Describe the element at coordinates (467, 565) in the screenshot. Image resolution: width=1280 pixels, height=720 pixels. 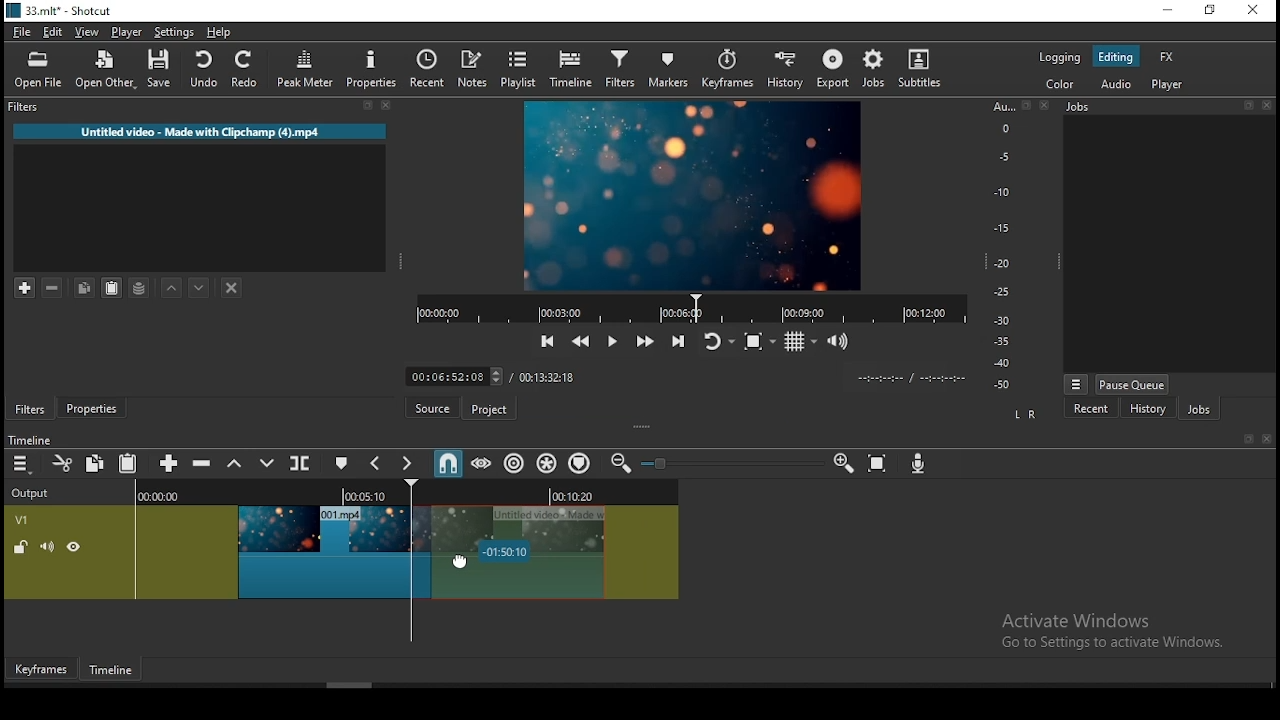
I see `cursor` at that location.